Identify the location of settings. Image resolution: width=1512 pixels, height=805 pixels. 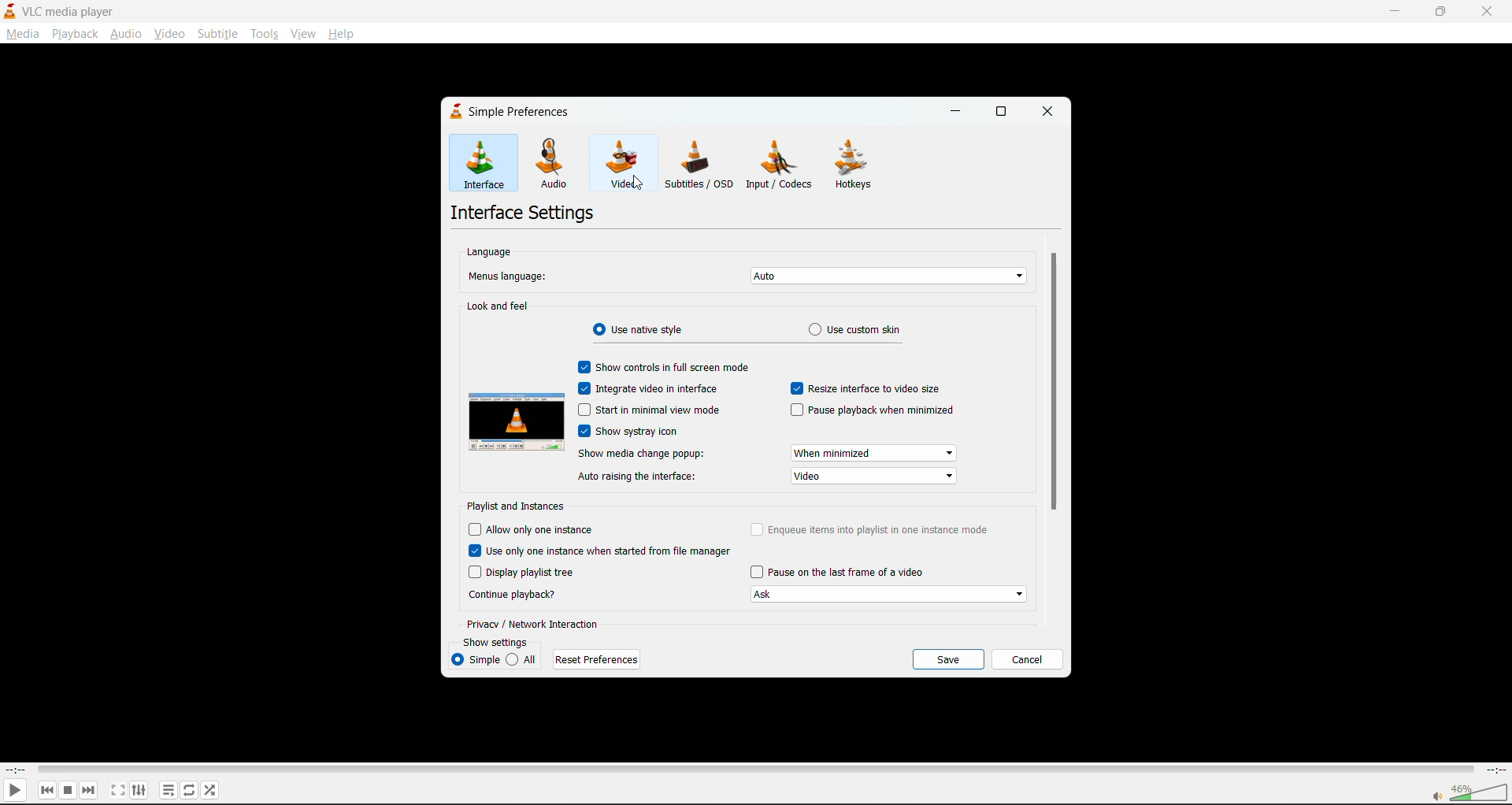
(137, 789).